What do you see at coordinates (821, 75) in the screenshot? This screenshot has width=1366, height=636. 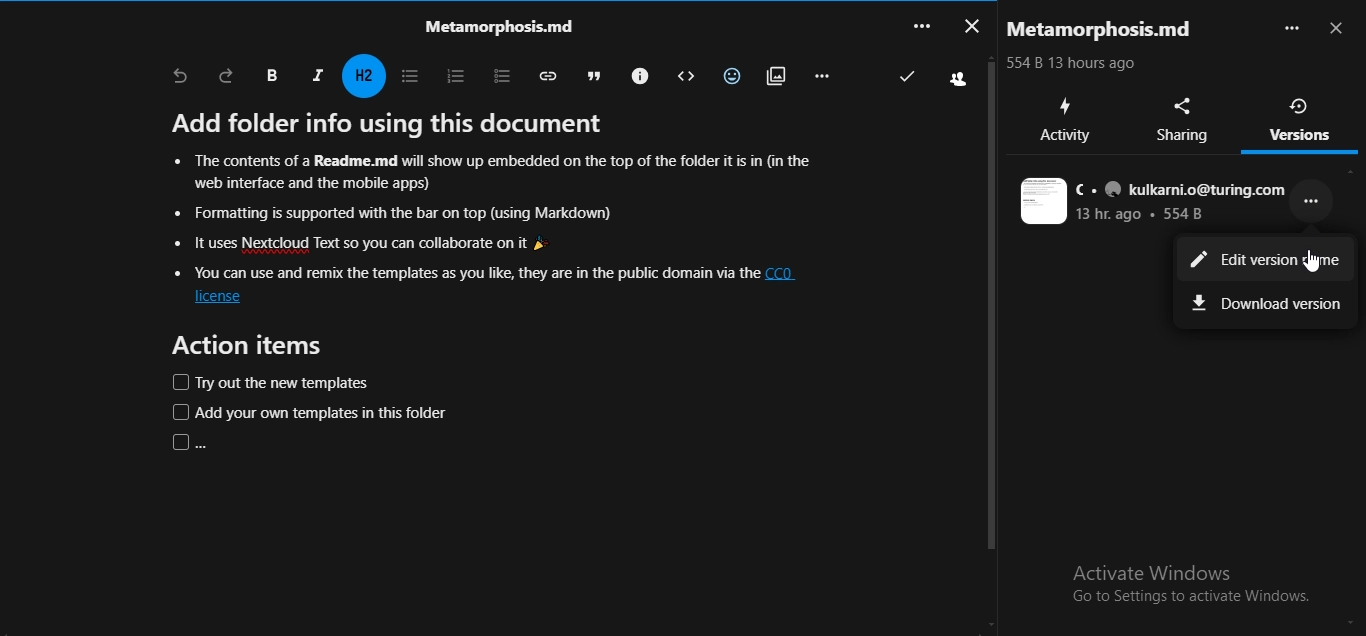 I see `remaining actions` at bounding box center [821, 75].